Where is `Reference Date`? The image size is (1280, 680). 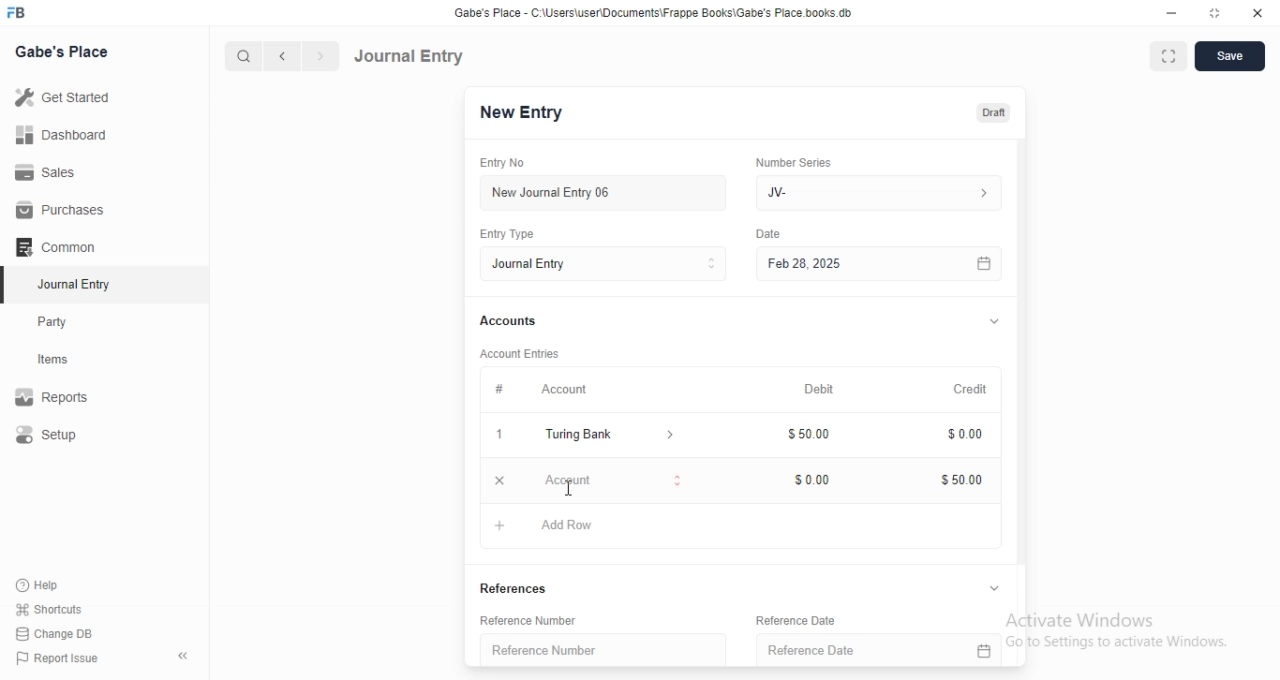 Reference Date is located at coordinates (807, 620).